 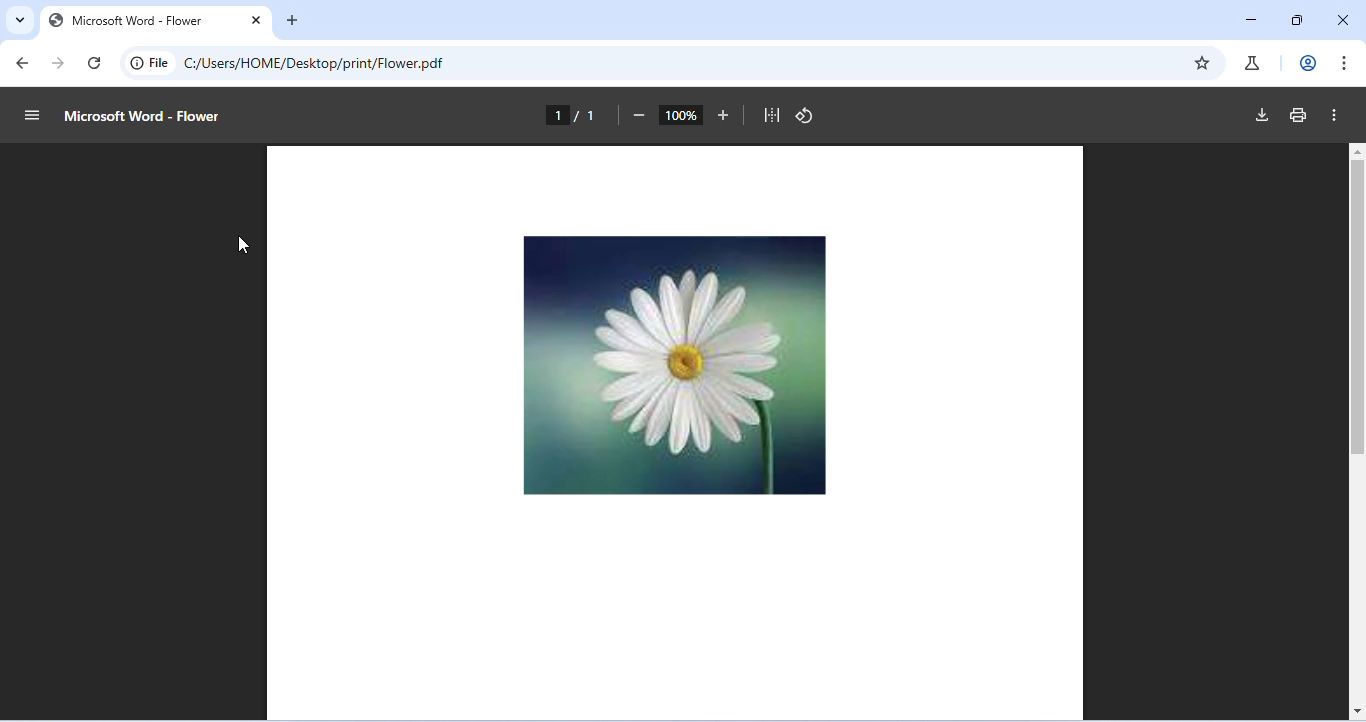 I want to click on minimize, so click(x=1253, y=19).